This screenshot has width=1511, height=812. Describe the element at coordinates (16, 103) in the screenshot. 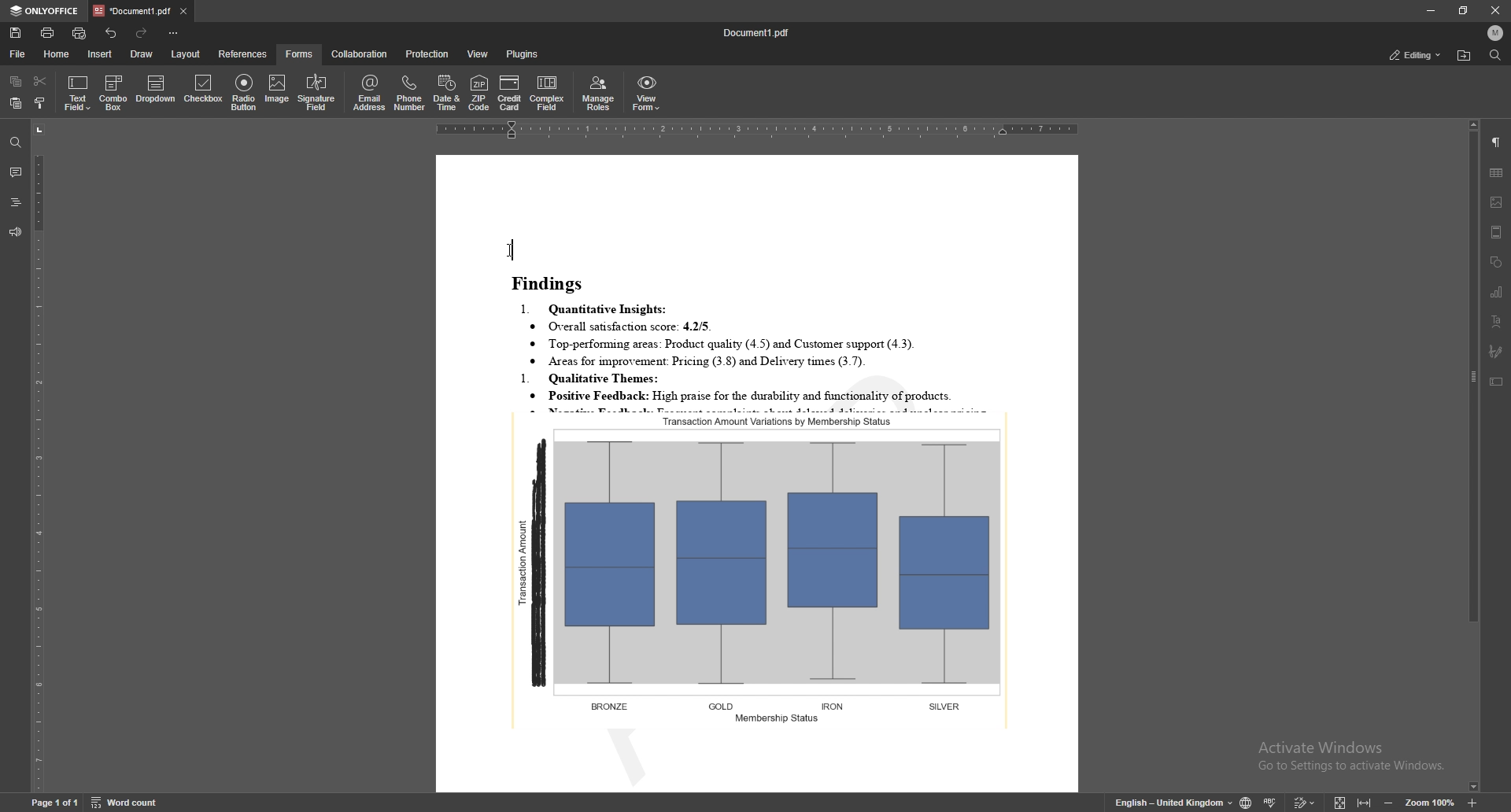

I see `paste` at that location.